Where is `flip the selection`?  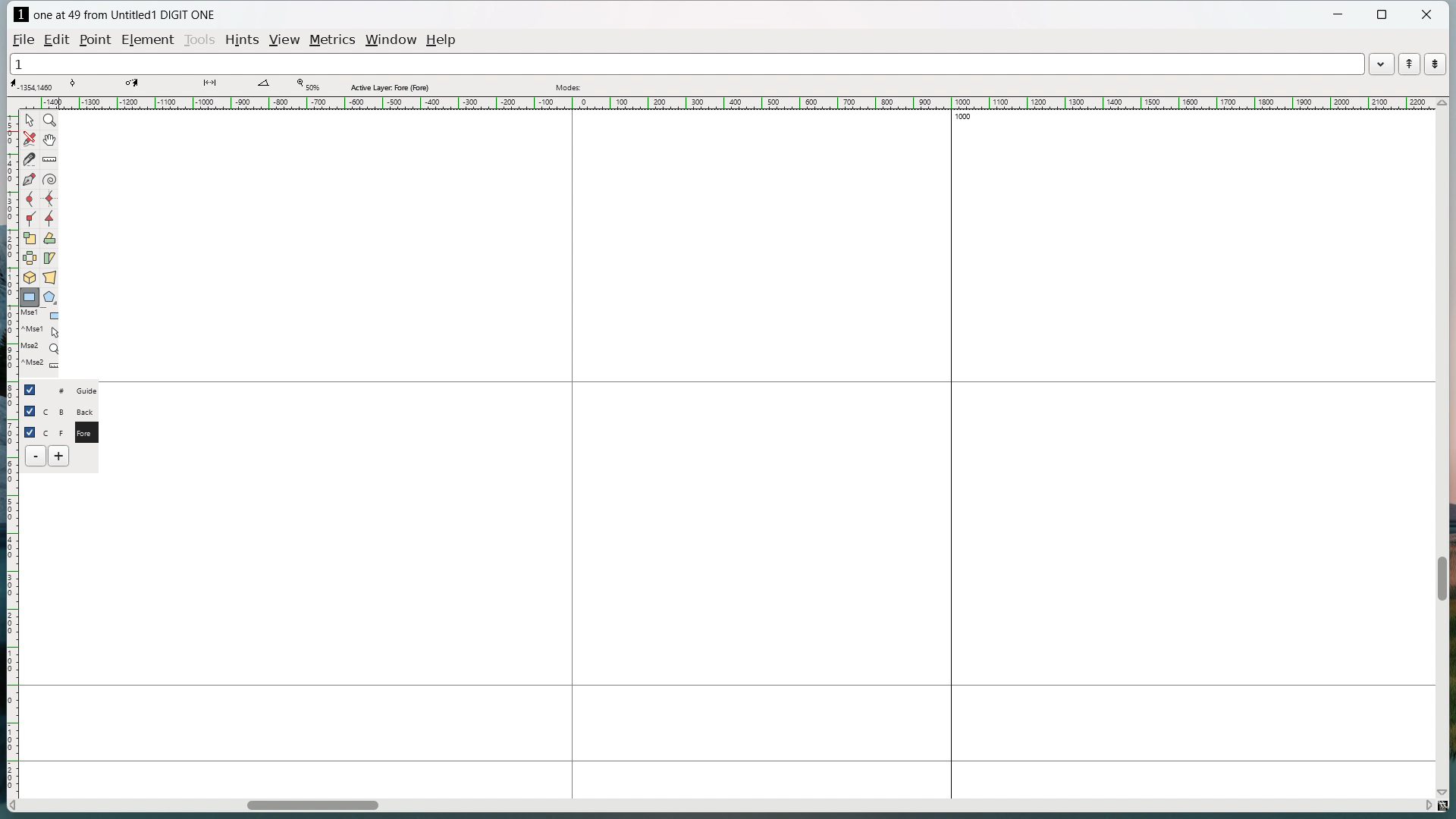 flip the selection is located at coordinates (30, 258).